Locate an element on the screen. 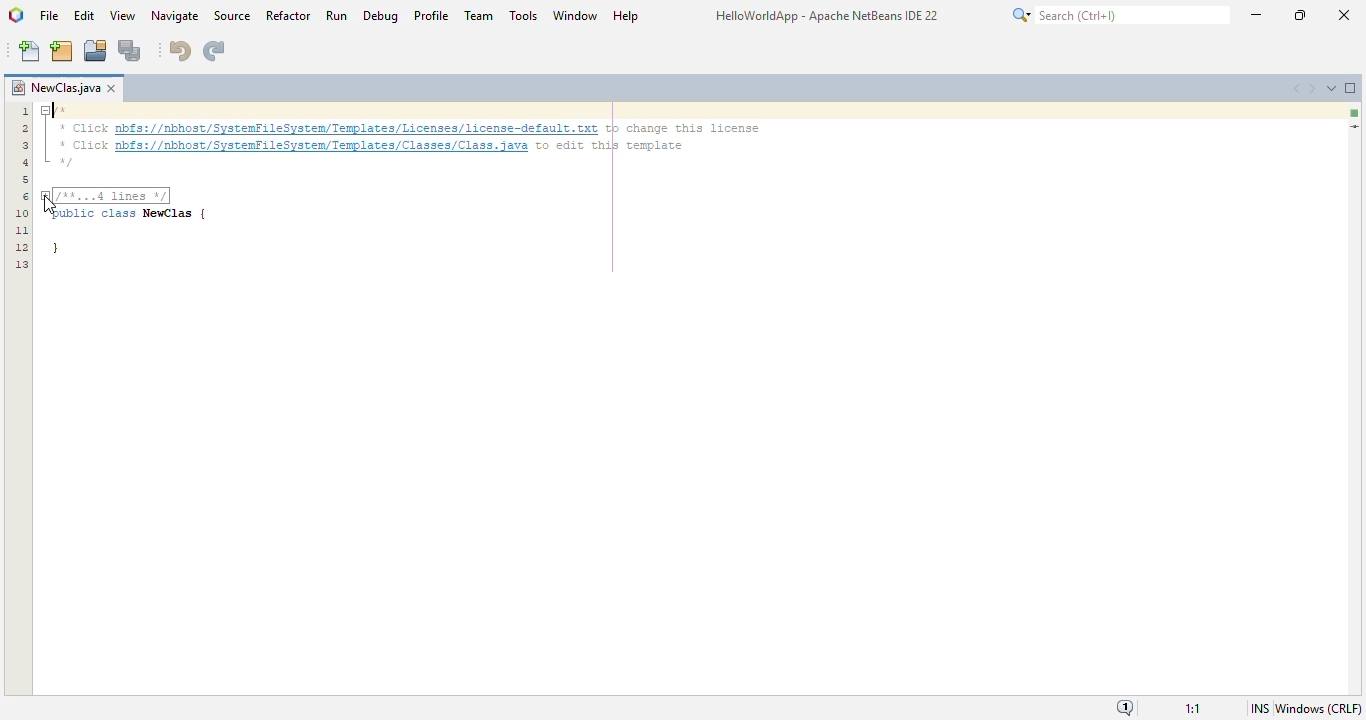 The image size is (1366, 720). file is located at coordinates (50, 16).